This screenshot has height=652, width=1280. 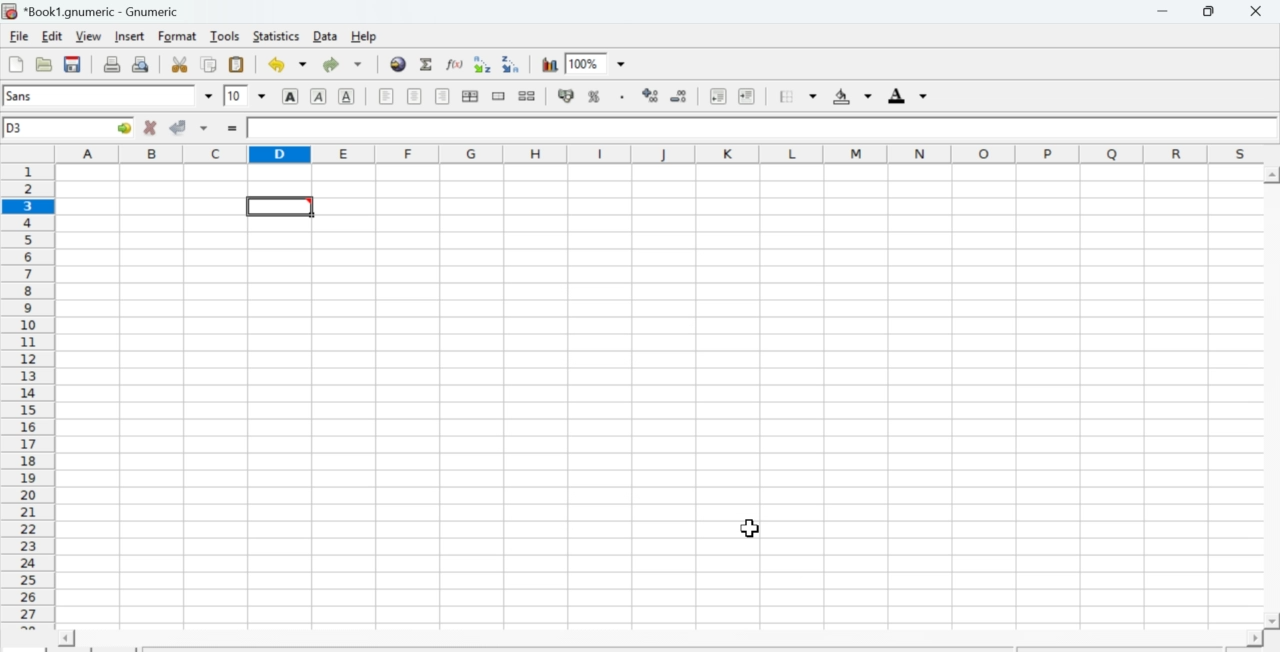 I want to click on Undo, so click(x=285, y=64).